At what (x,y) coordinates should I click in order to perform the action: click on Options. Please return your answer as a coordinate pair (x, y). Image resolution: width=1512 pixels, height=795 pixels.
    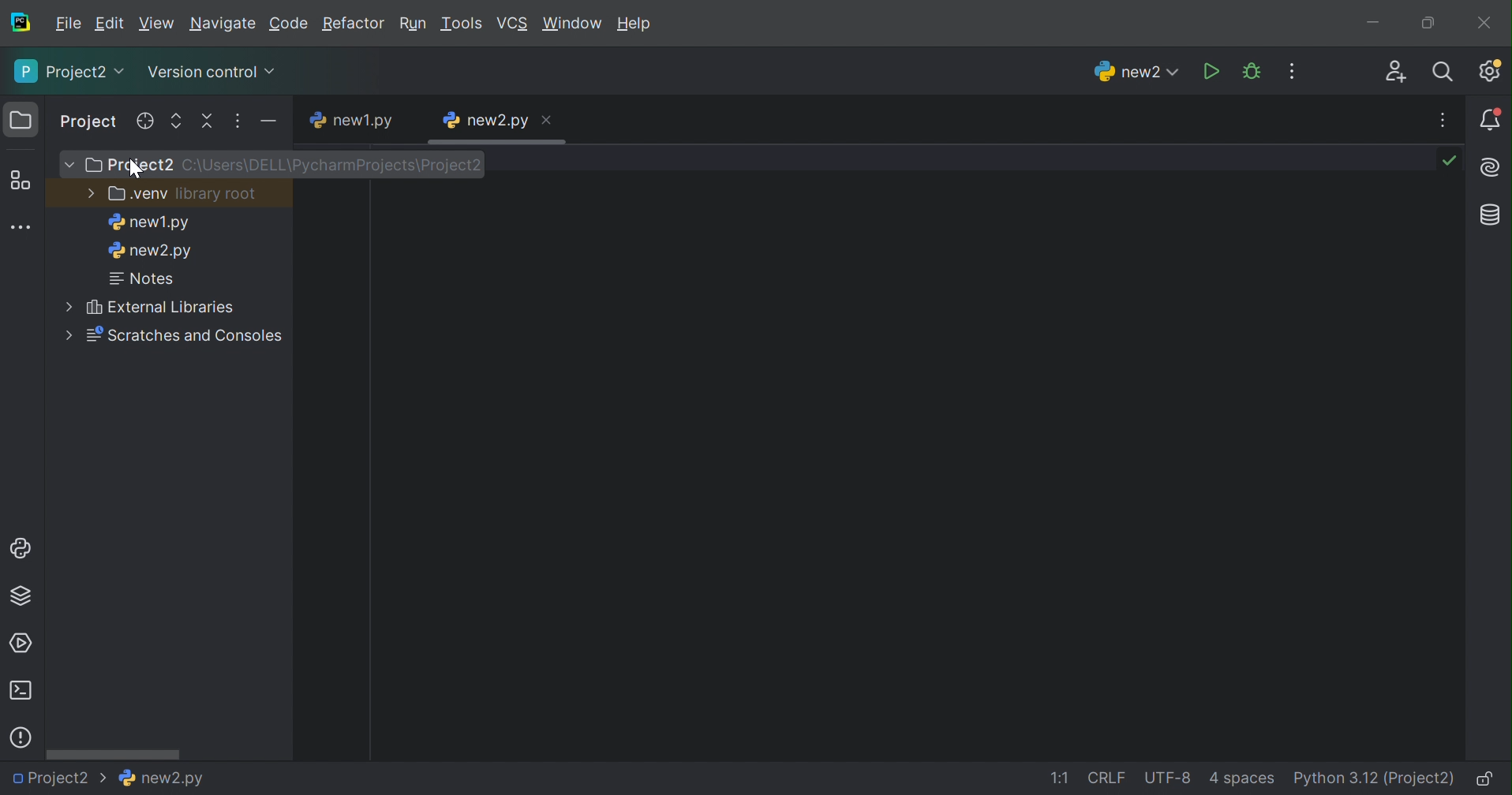
    Looking at the image, I should click on (238, 121).